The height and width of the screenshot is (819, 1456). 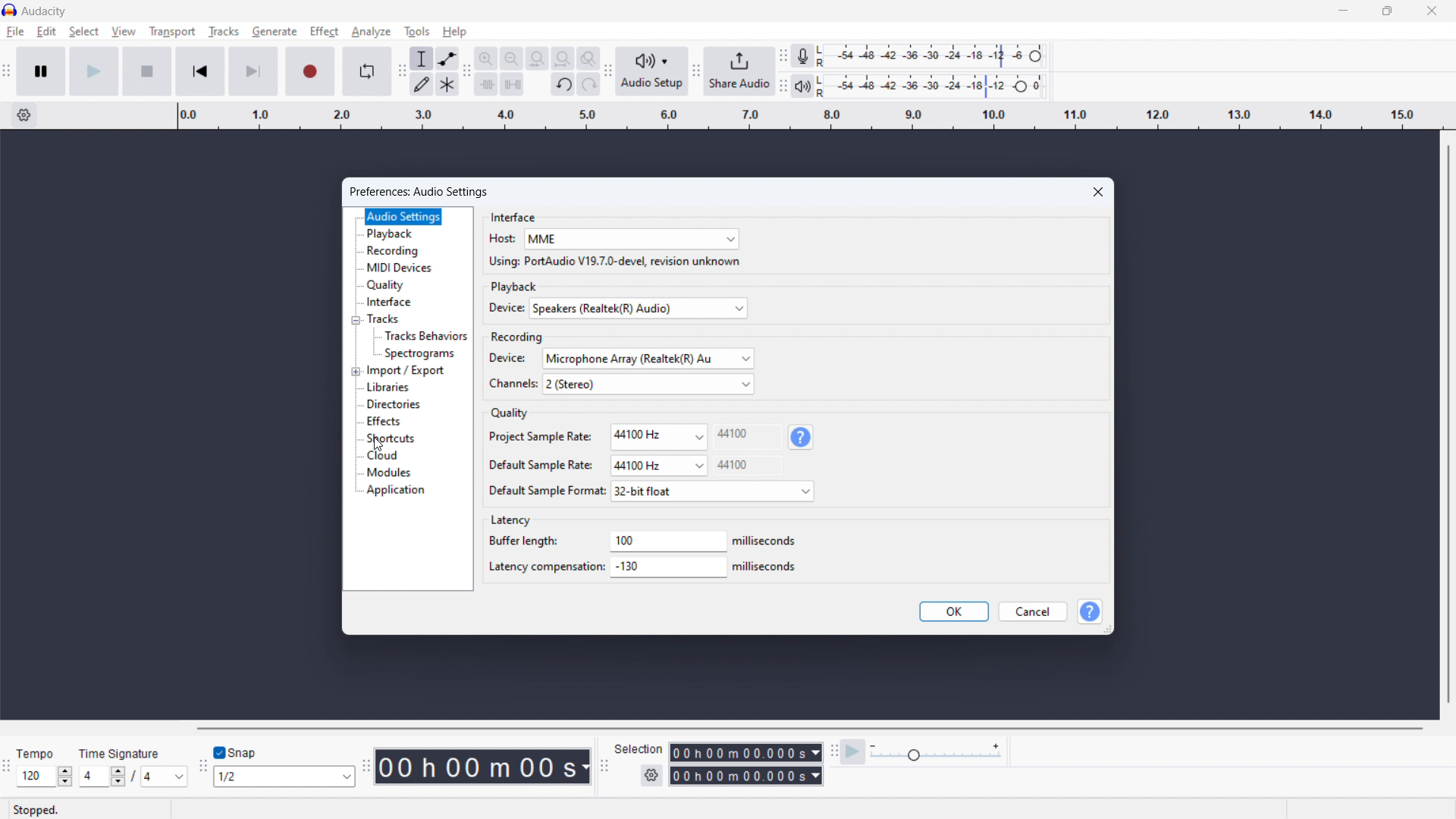 What do you see at coordinates (639, 748) in the screenshot?
I see `Indicates section for duration of selection` at bounding box center [639, 748].